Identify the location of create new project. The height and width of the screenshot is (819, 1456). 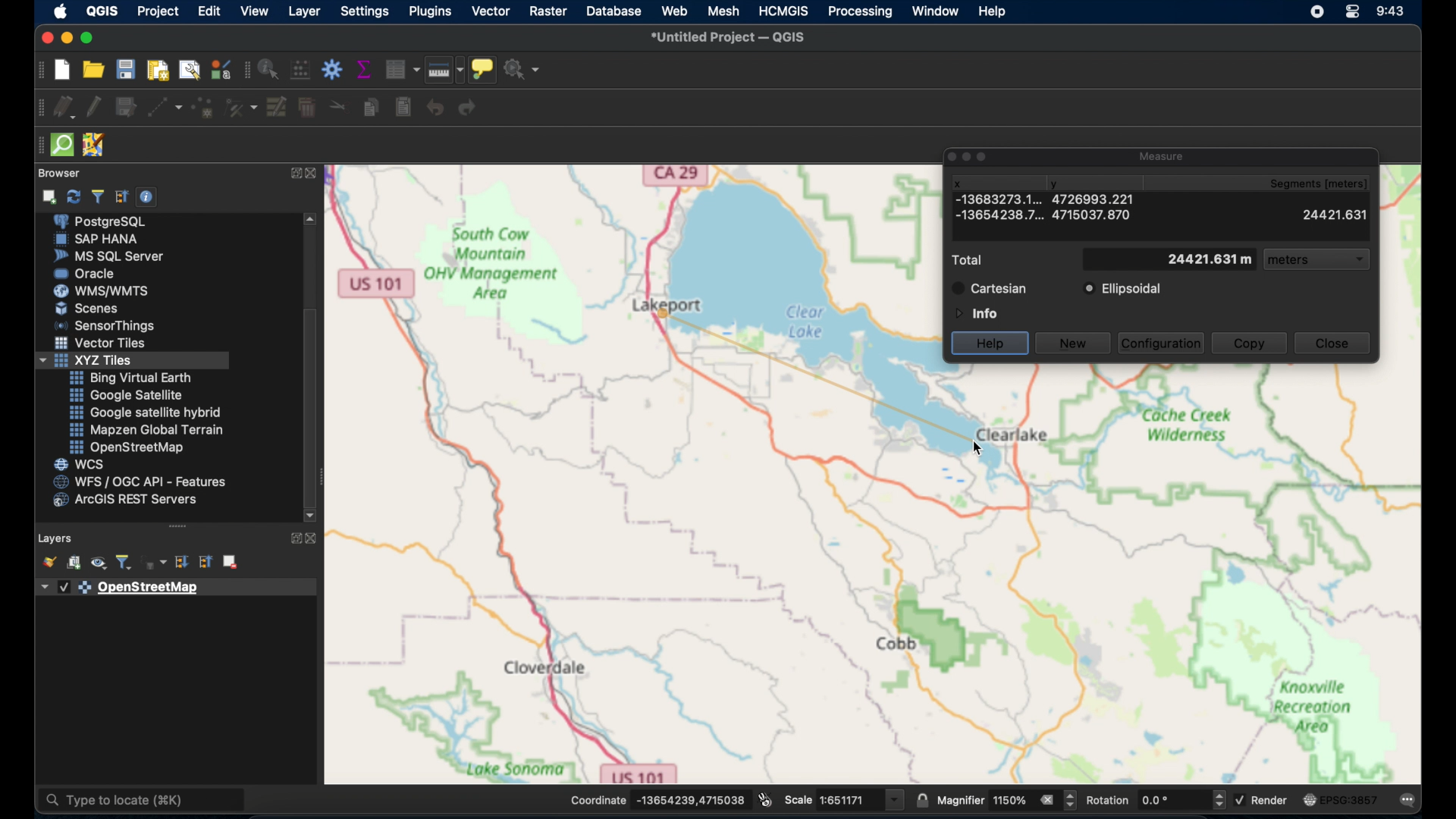
(61, 70).